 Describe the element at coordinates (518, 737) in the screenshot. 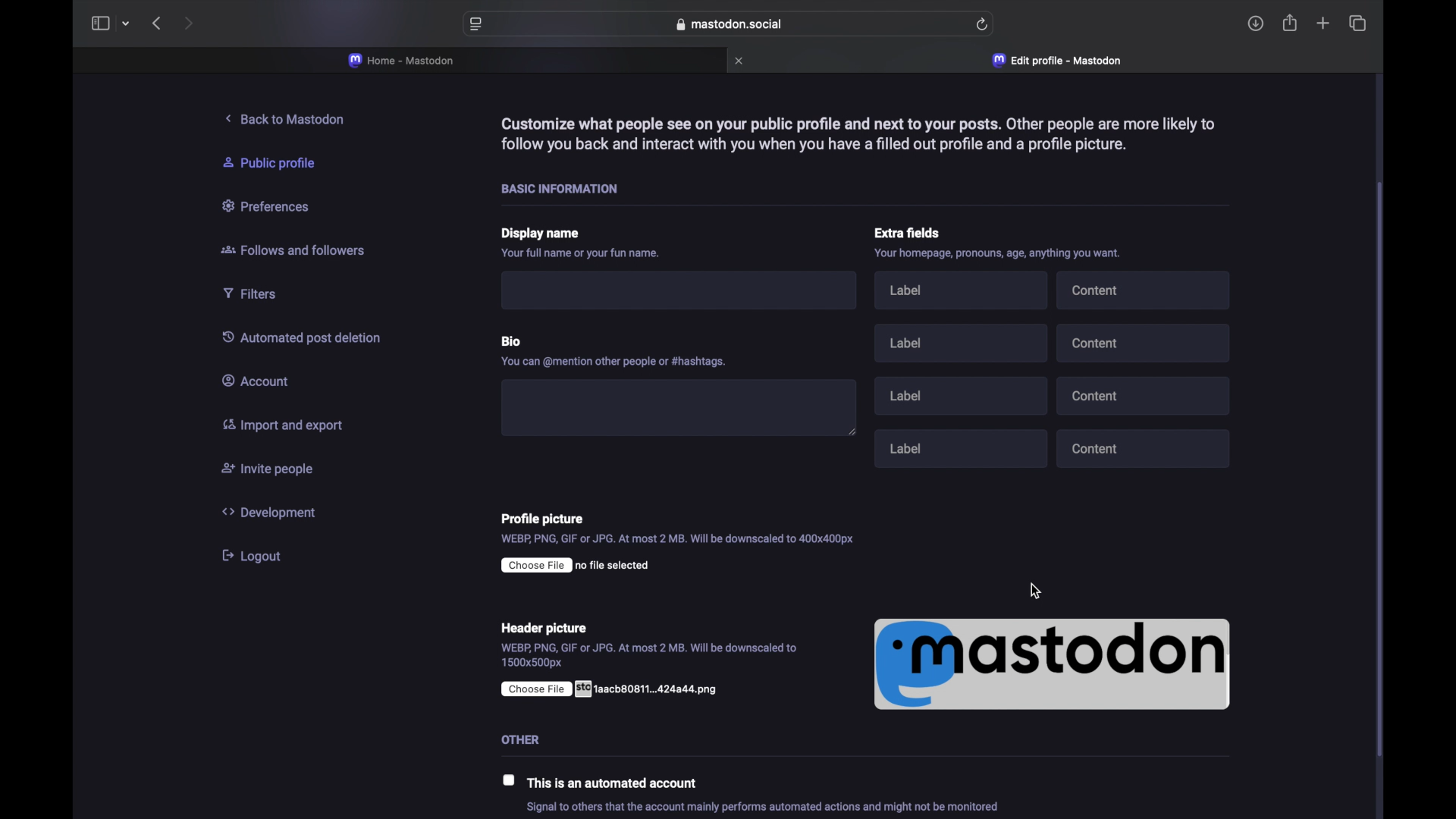

I see `` at that location.